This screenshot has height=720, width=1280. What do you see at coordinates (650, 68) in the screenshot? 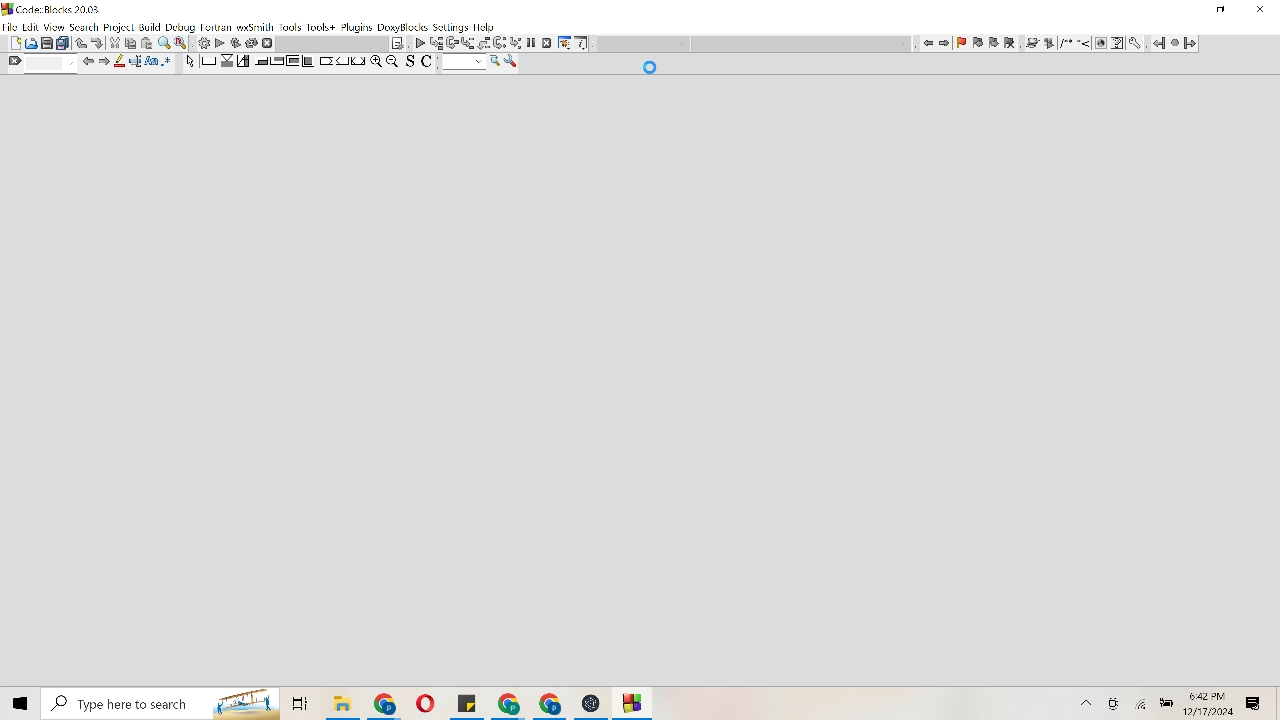
I see `Cursor` at bounding box center [650, 68].